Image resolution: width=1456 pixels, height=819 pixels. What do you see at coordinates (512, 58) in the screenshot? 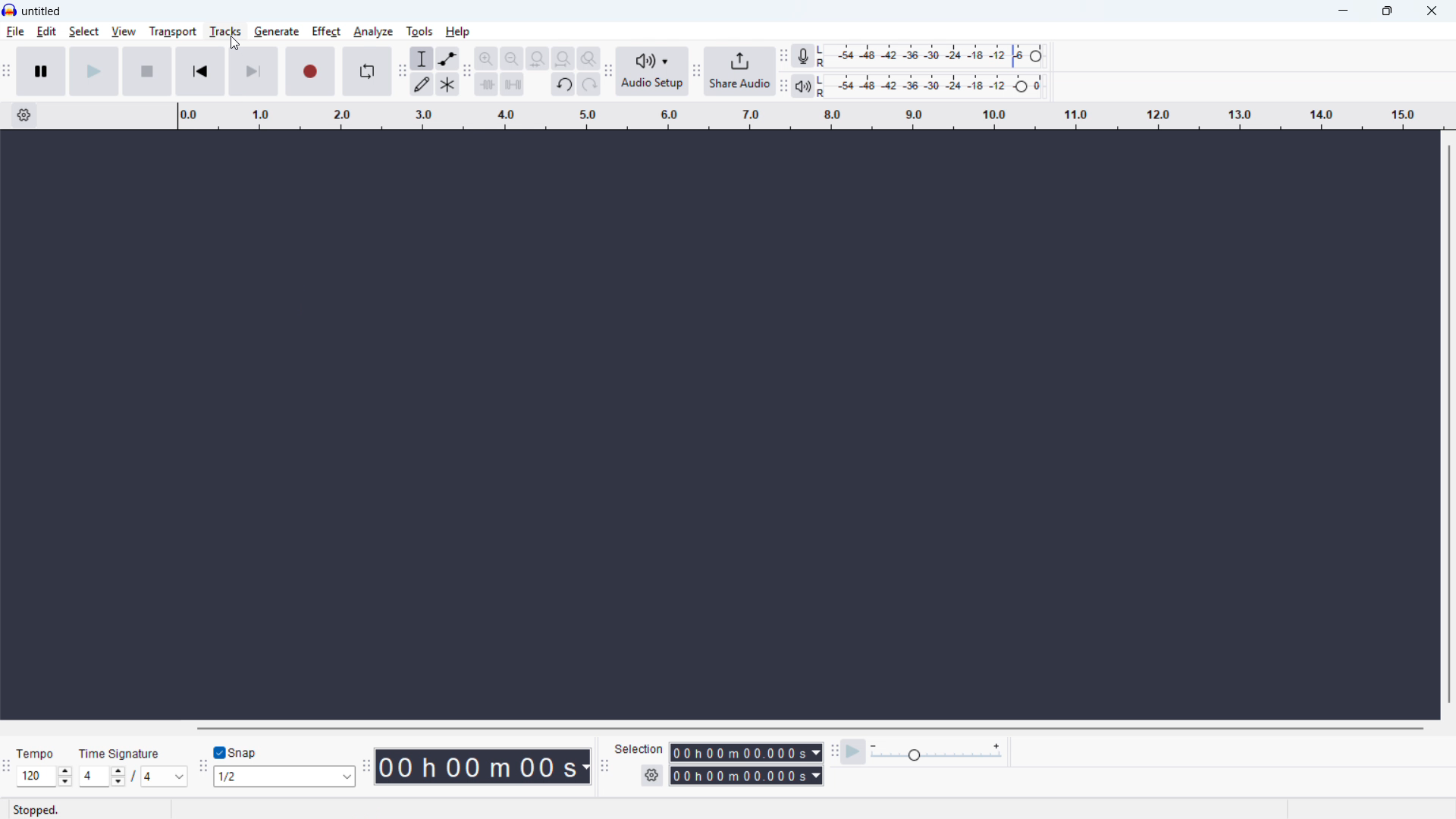
I see `Zoom out ` at bounding box center [512, 58].